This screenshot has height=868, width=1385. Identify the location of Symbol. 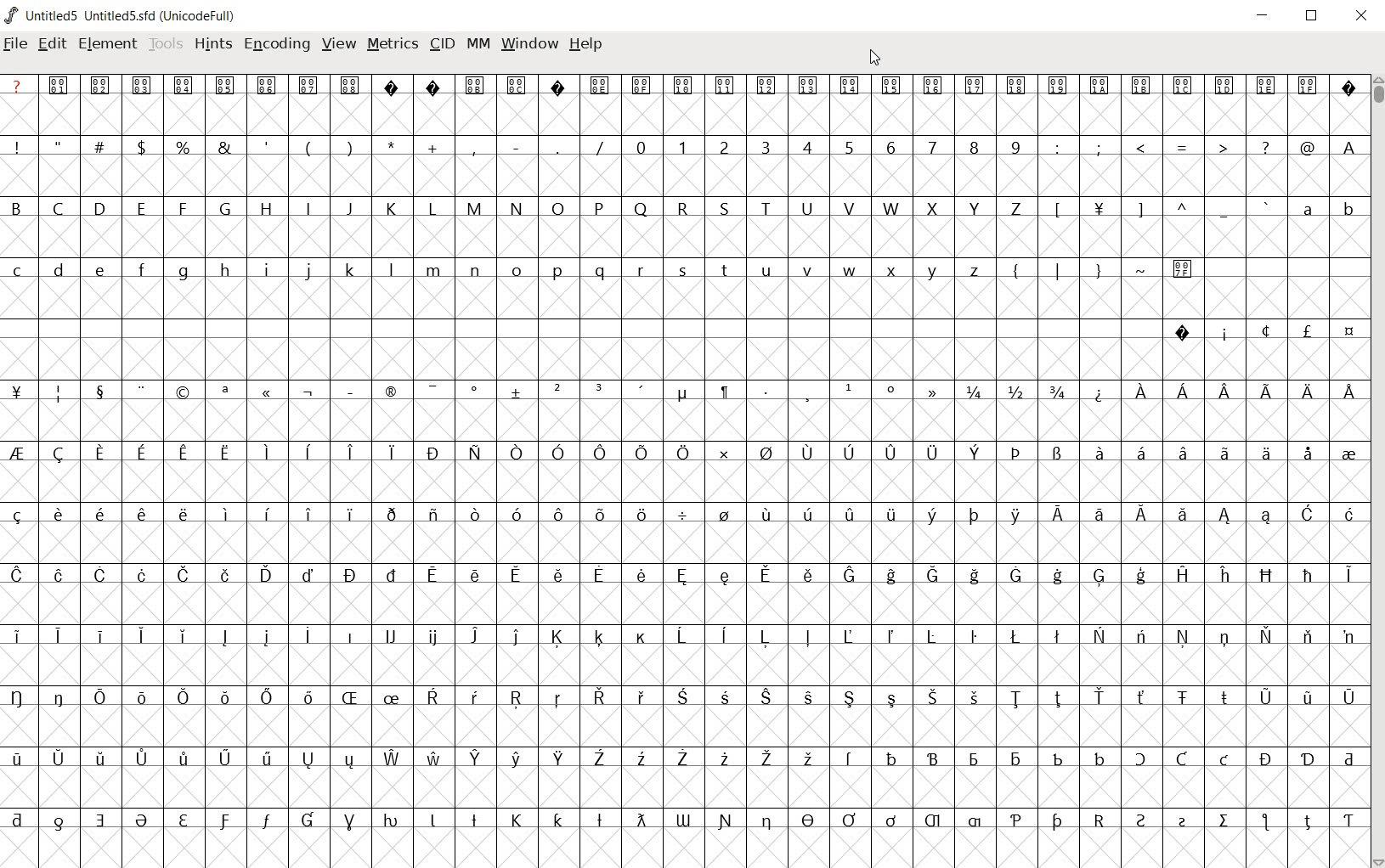
(1307, 697).